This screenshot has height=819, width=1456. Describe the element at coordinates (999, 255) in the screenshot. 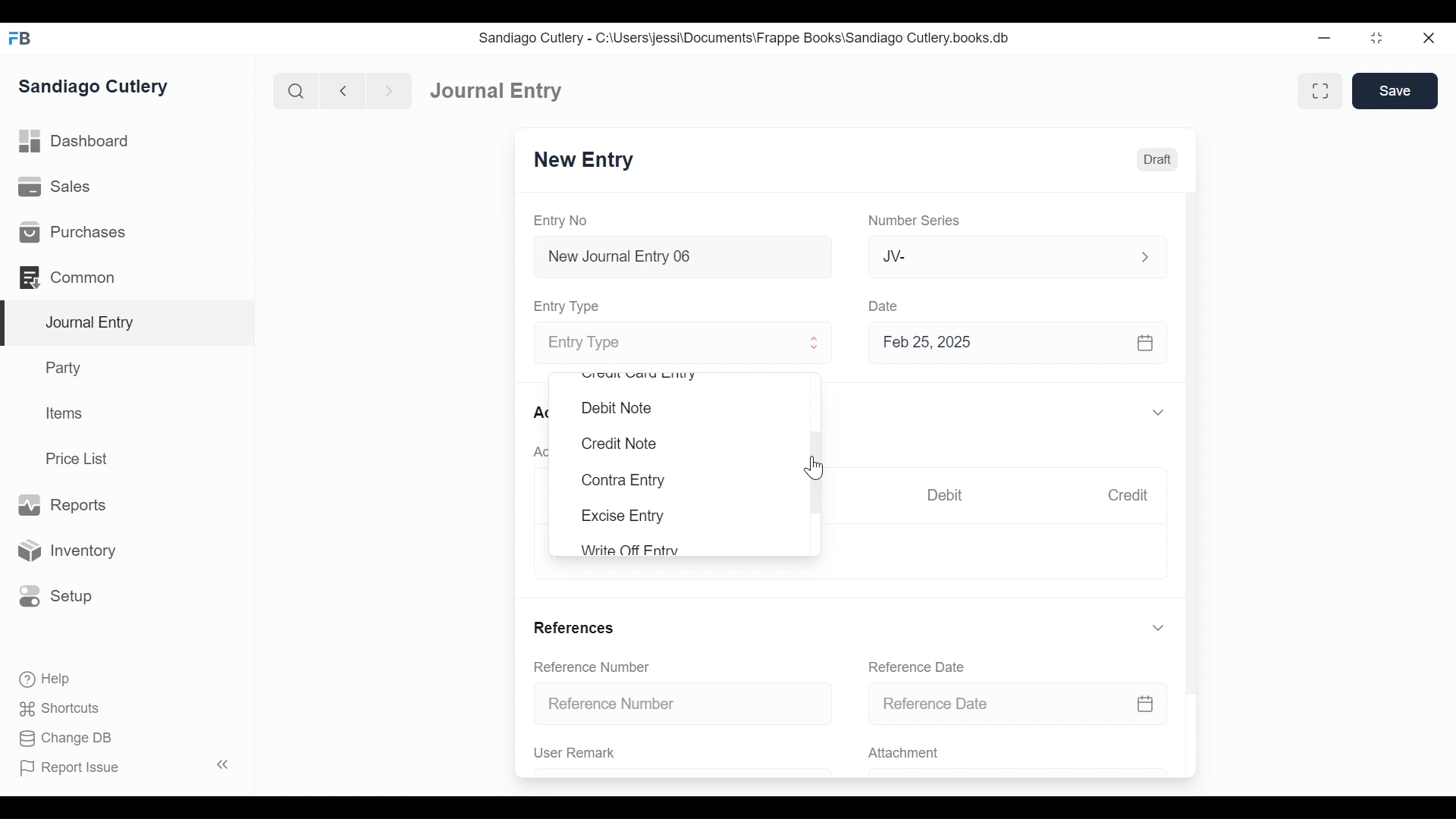

I see `JV-` at that location.